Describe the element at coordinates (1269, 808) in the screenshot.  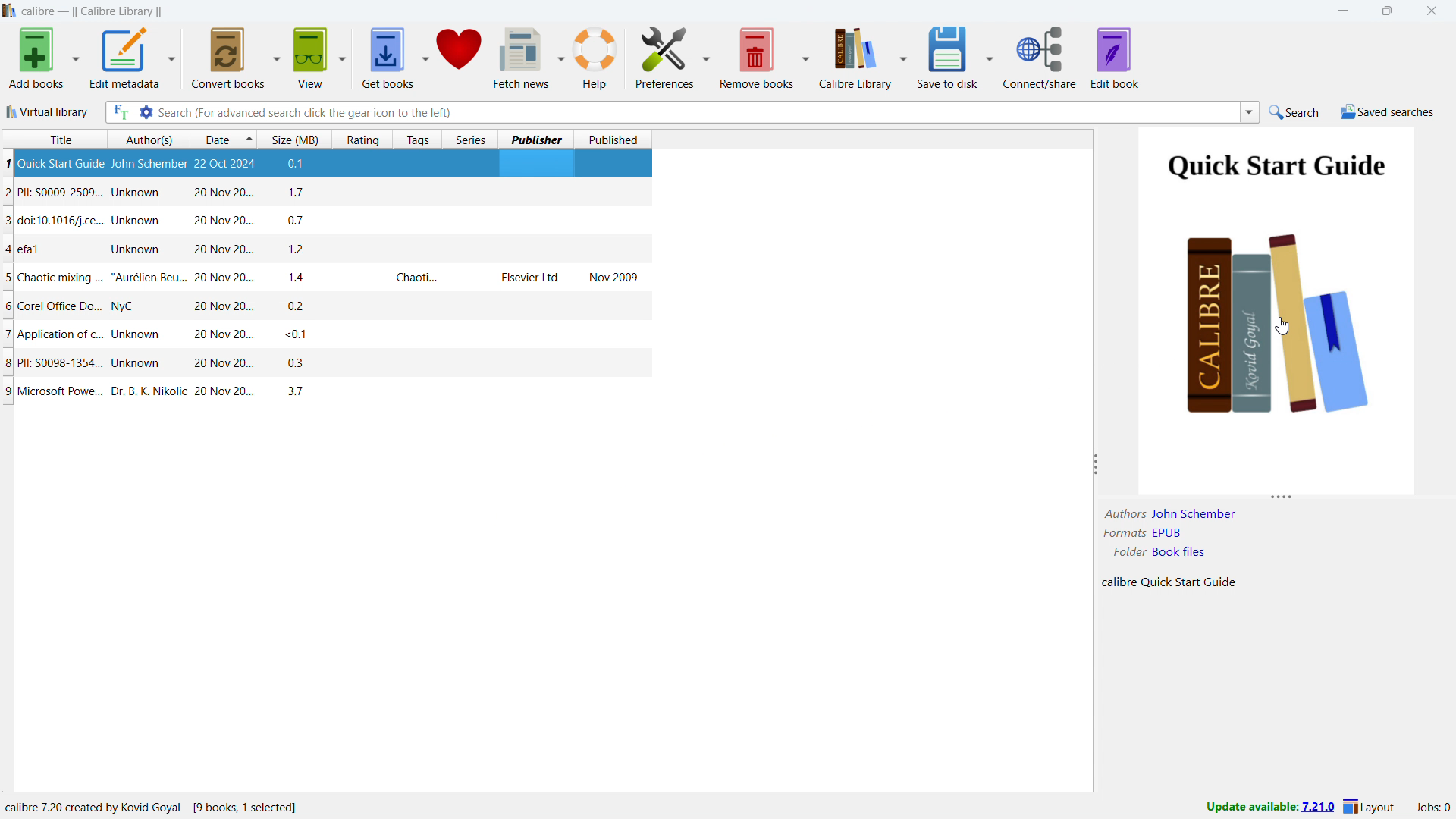
I see `update available ` at that location.